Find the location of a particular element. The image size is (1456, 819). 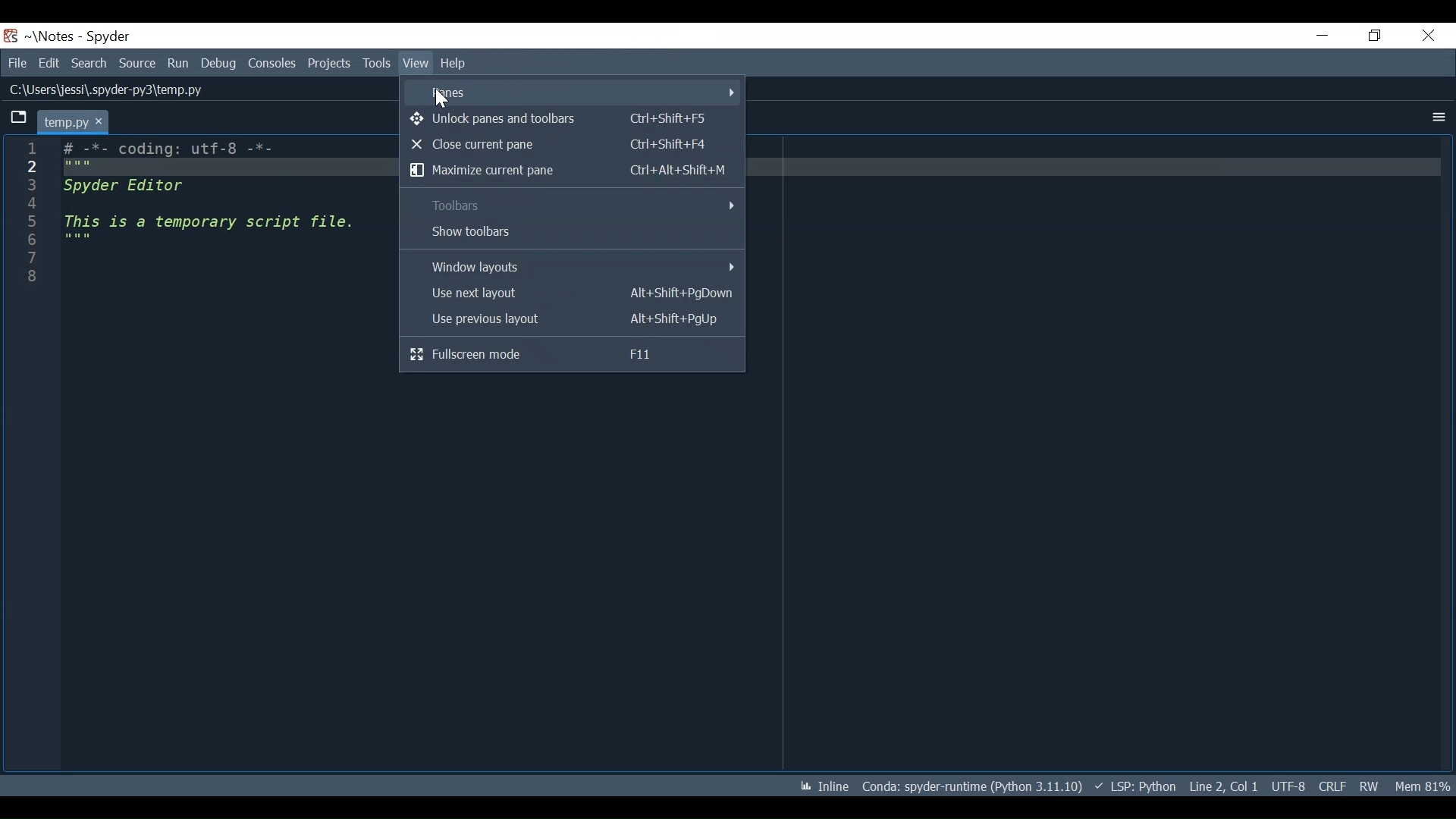

Toolbars is located at coordinates (574, 206).